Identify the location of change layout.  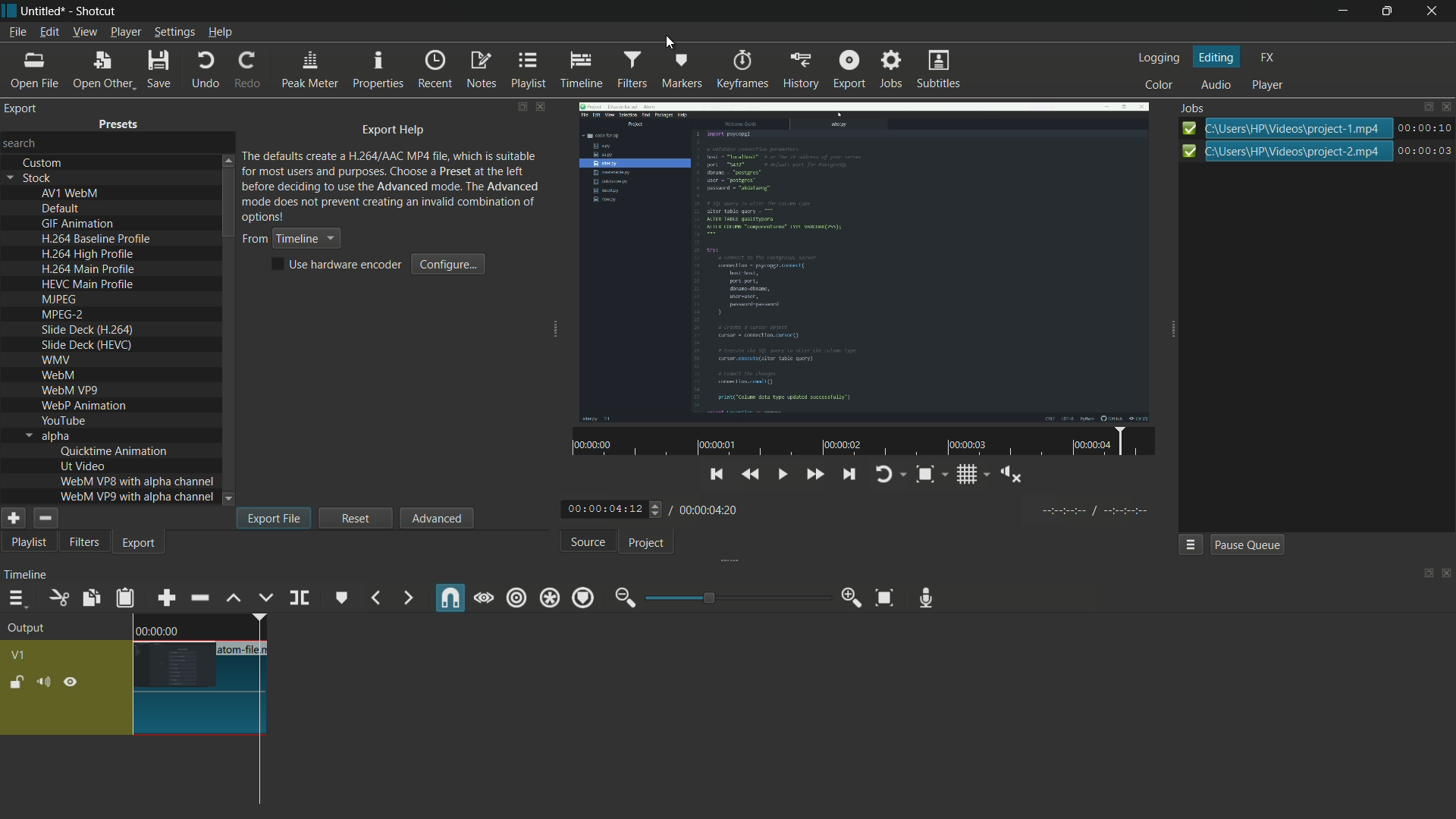
(521, 107).